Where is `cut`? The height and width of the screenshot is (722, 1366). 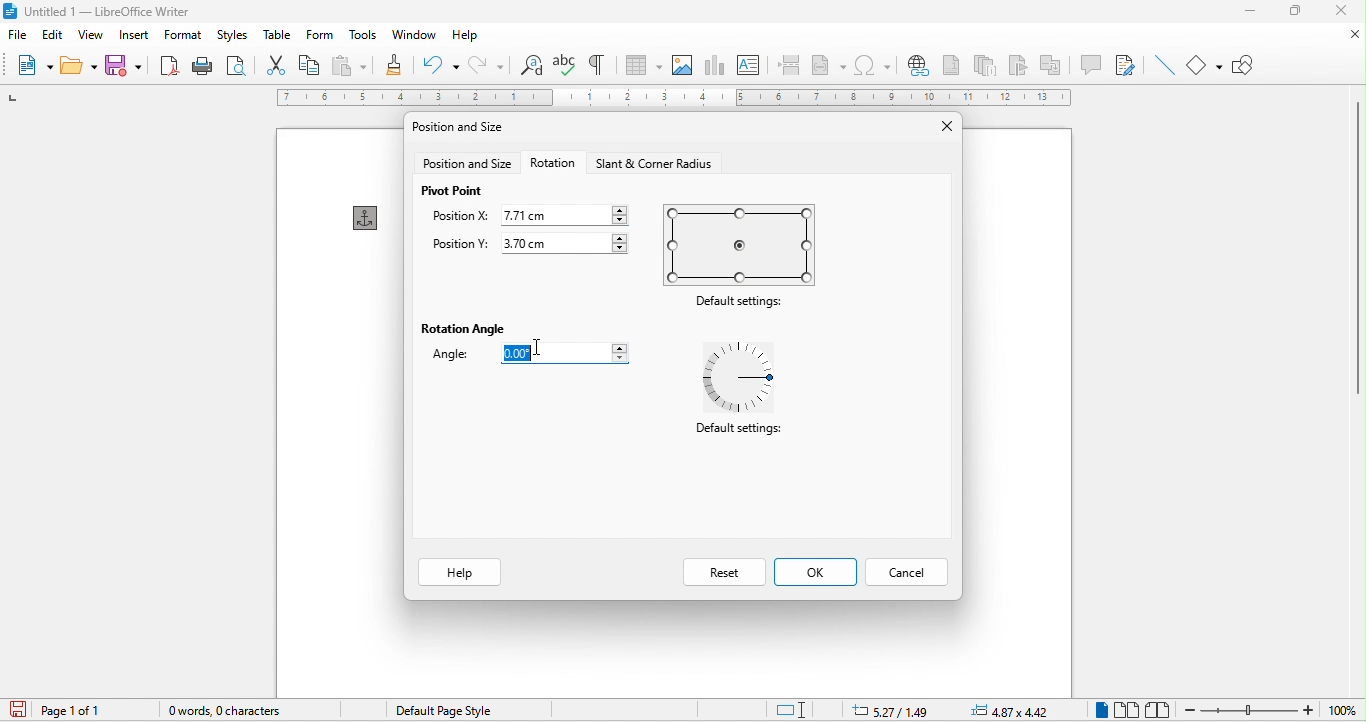
cut is located at coordinates (278, 66).